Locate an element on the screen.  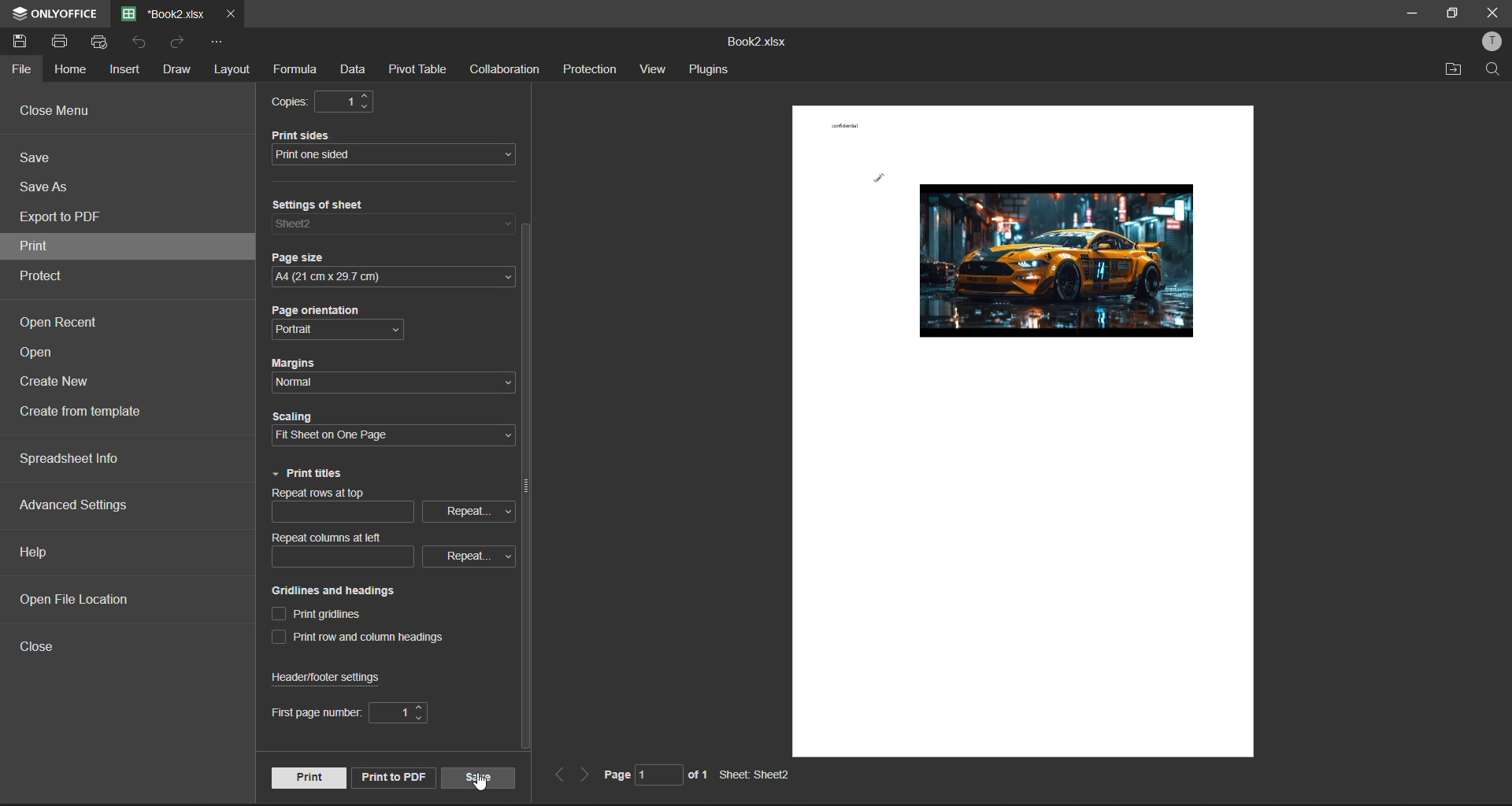
open location is located at coordinates (1455, 69).